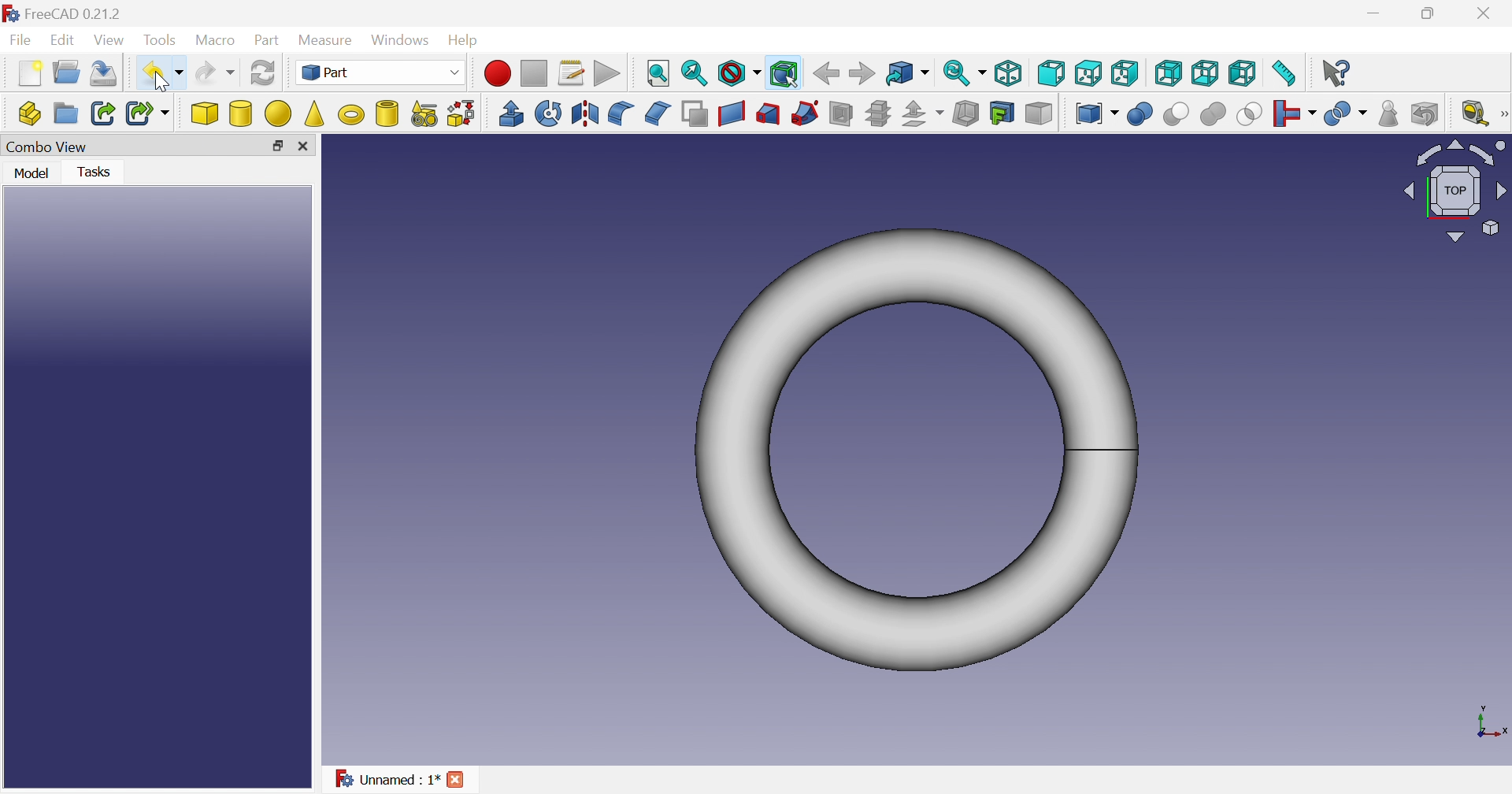  I want to click on Windows, so click(400, 39).